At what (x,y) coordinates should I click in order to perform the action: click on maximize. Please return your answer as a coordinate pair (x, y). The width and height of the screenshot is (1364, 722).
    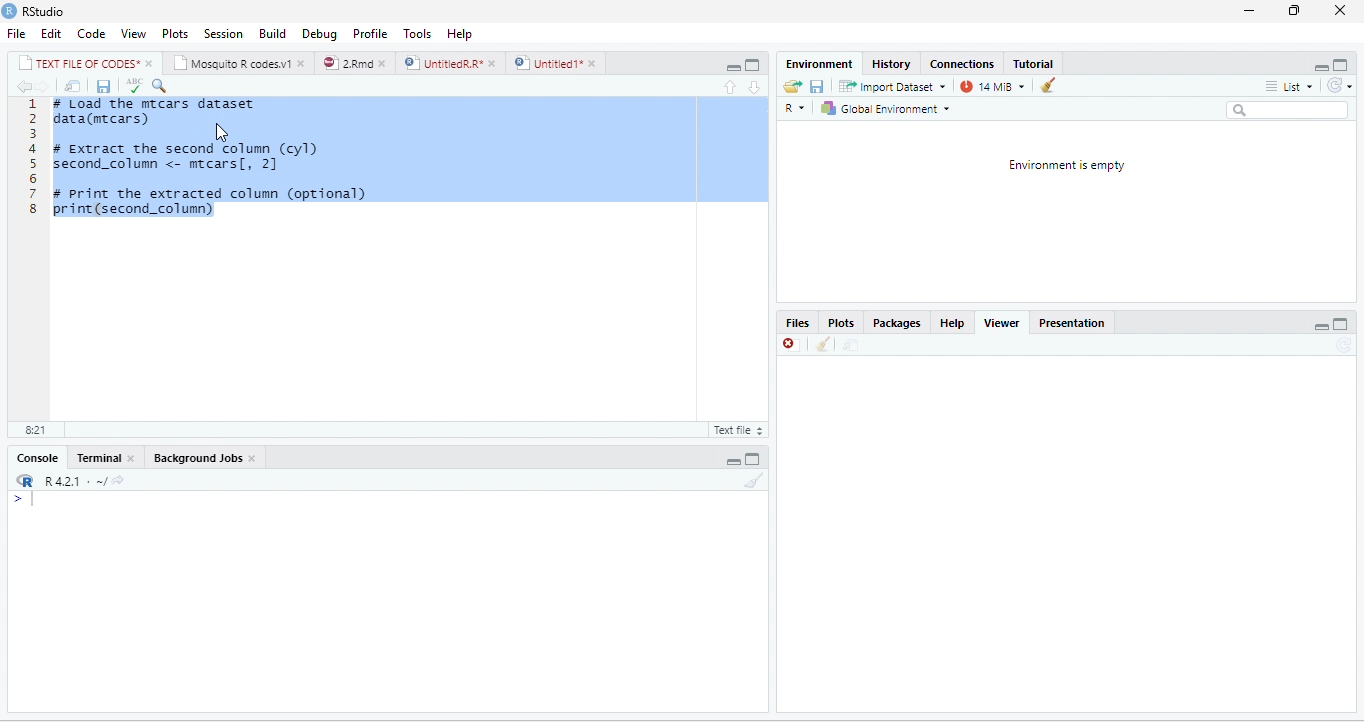
    Looking at the image, I should click on (735, 64).